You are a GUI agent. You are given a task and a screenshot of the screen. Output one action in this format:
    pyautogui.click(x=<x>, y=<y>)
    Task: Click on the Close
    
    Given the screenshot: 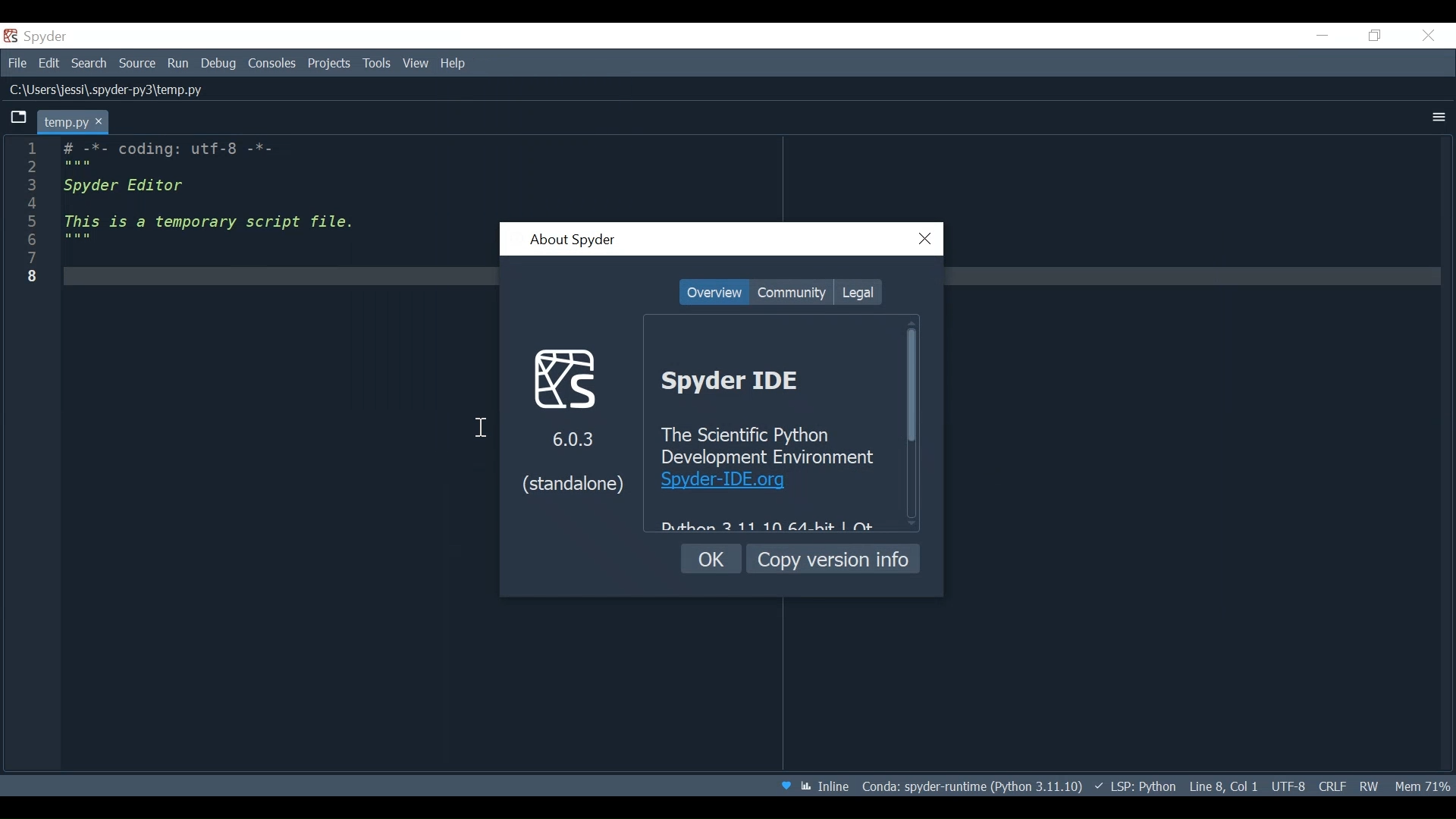 What is the action you would take?
    pyautogui.click(x=1428, y=36)
    